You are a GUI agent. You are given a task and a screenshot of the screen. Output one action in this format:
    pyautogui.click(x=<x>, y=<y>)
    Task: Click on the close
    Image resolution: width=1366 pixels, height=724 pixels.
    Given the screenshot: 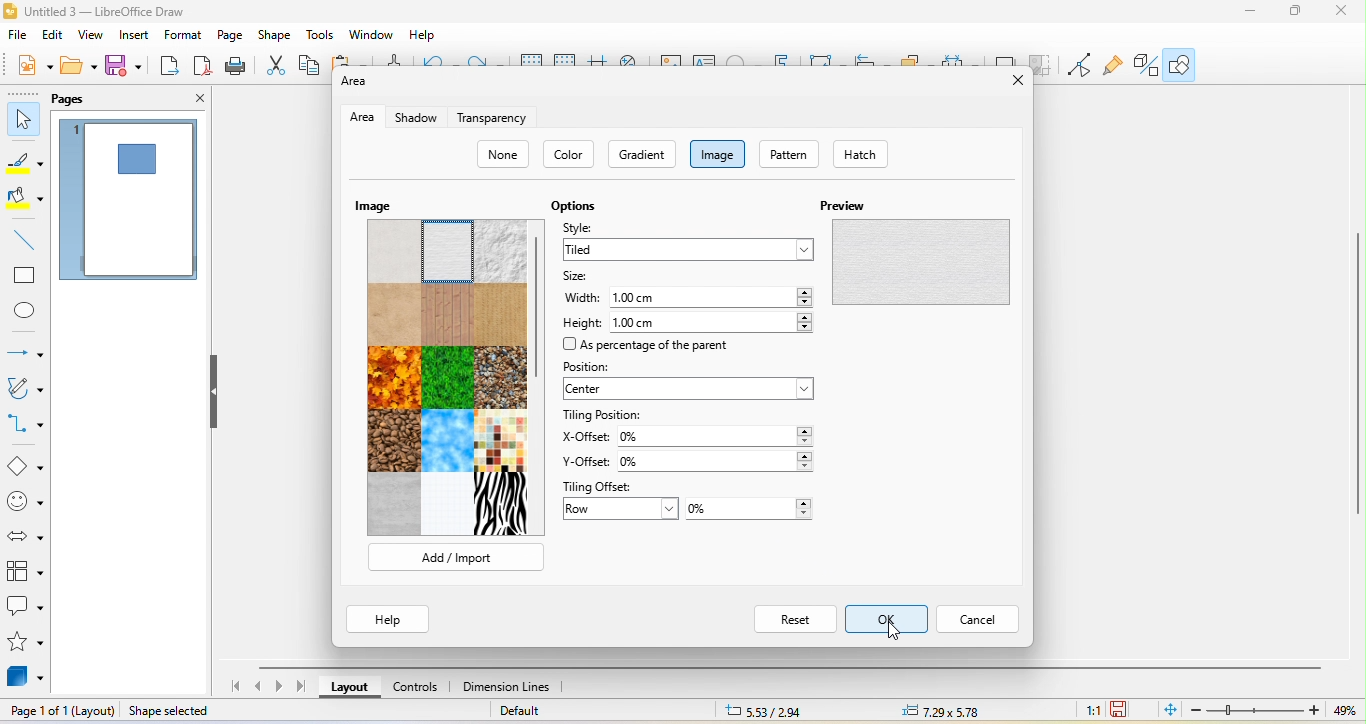 What is the action you would take?
    pyautogui.click(x=1346, y=15)
    